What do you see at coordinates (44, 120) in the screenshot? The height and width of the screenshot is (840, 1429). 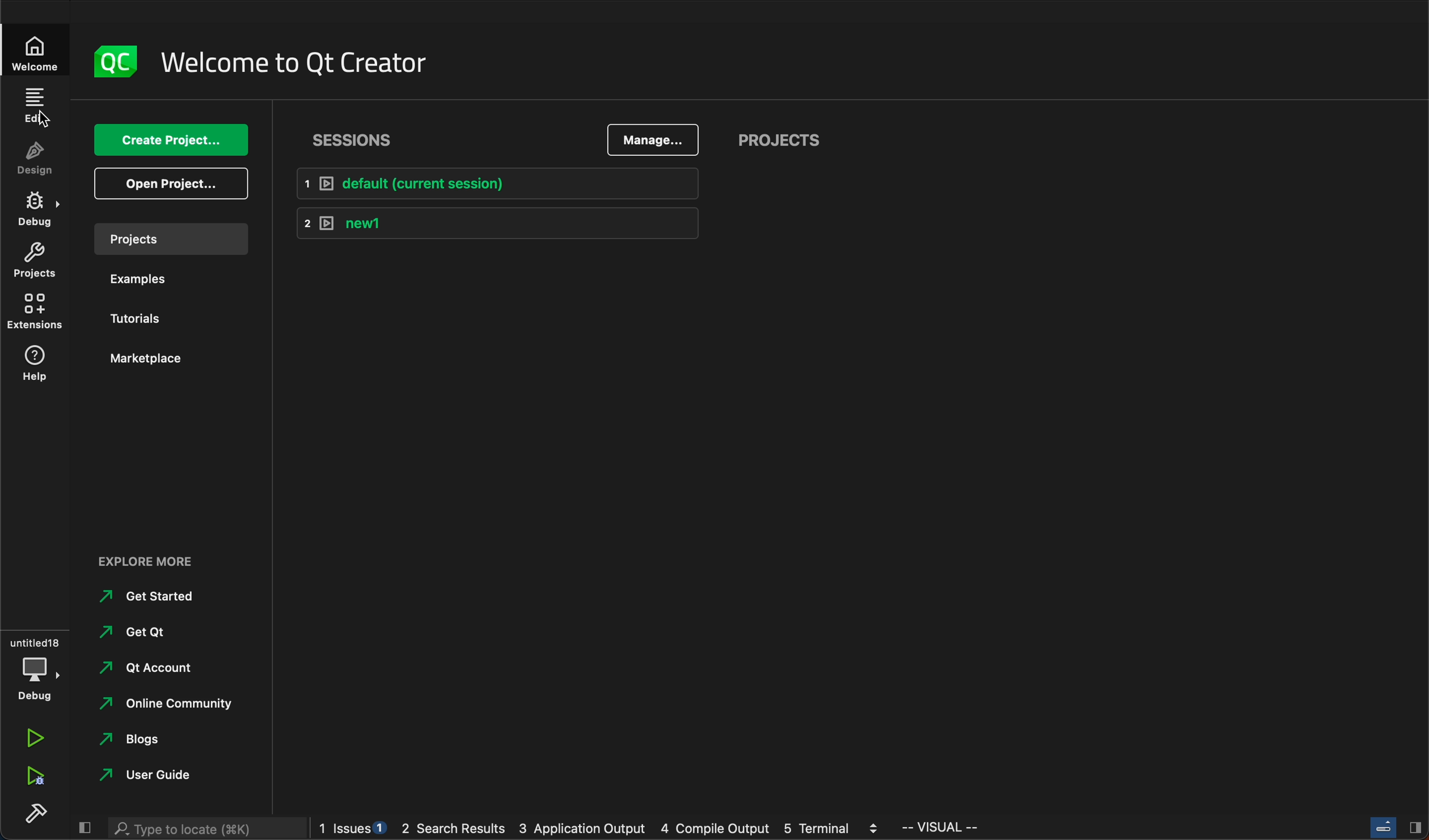 I see `Cursor` at bounding box center [44, 120].